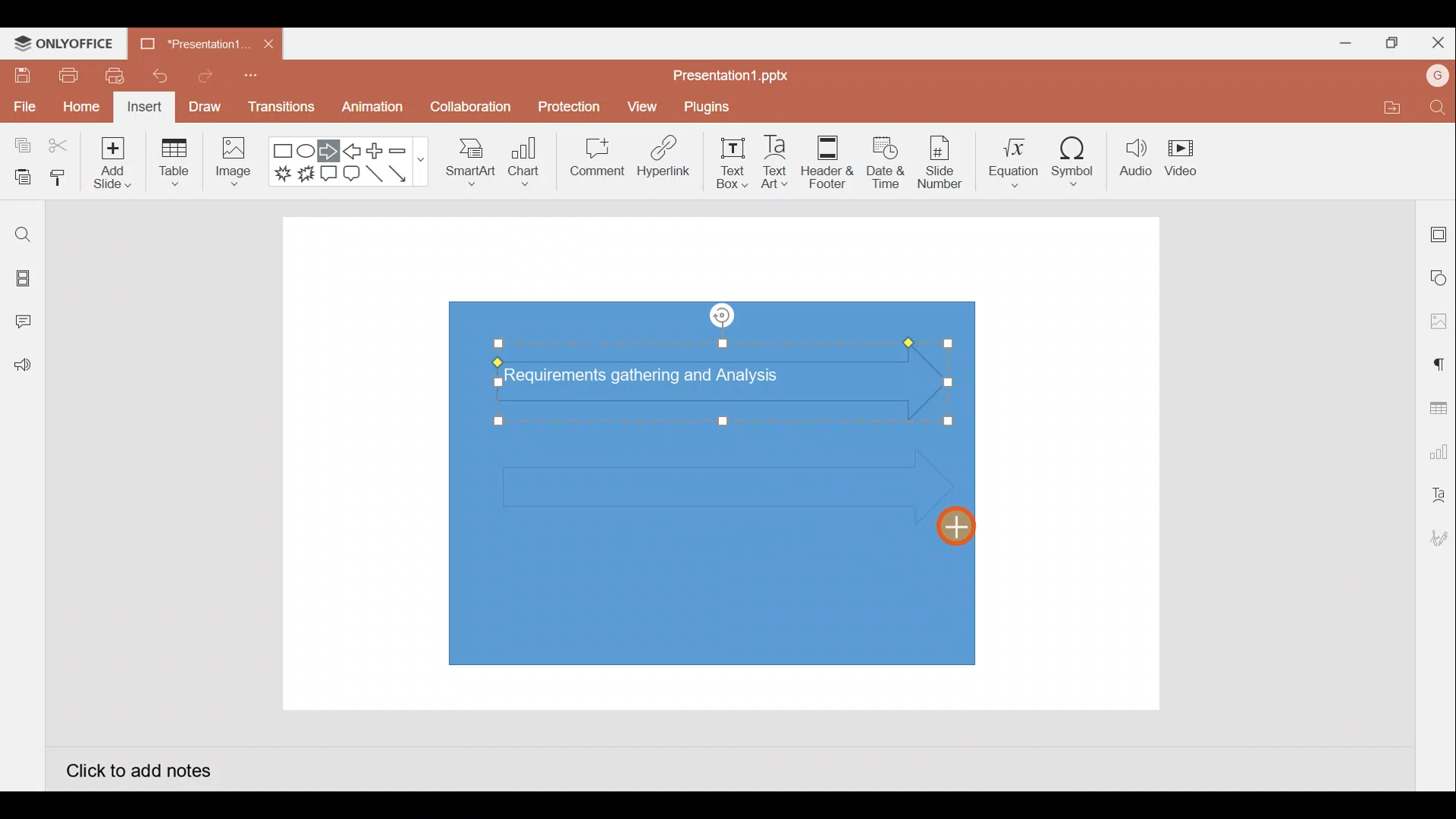 This screenshot has width=1456, height=819. I want to click on Shape settings, so click(1439, 277).